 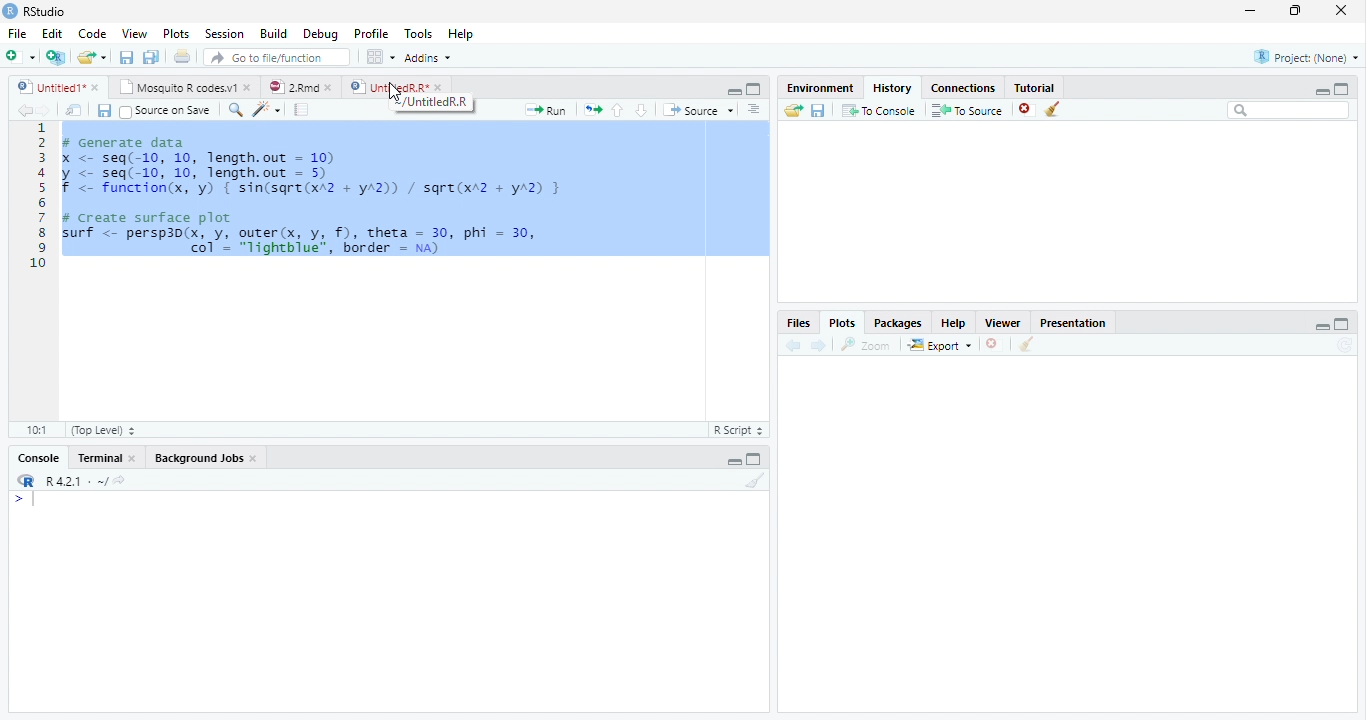 What do you see at coordinates (103, 110) in the screenshot?
I see `Save current document` at bounding box center [103, 110].